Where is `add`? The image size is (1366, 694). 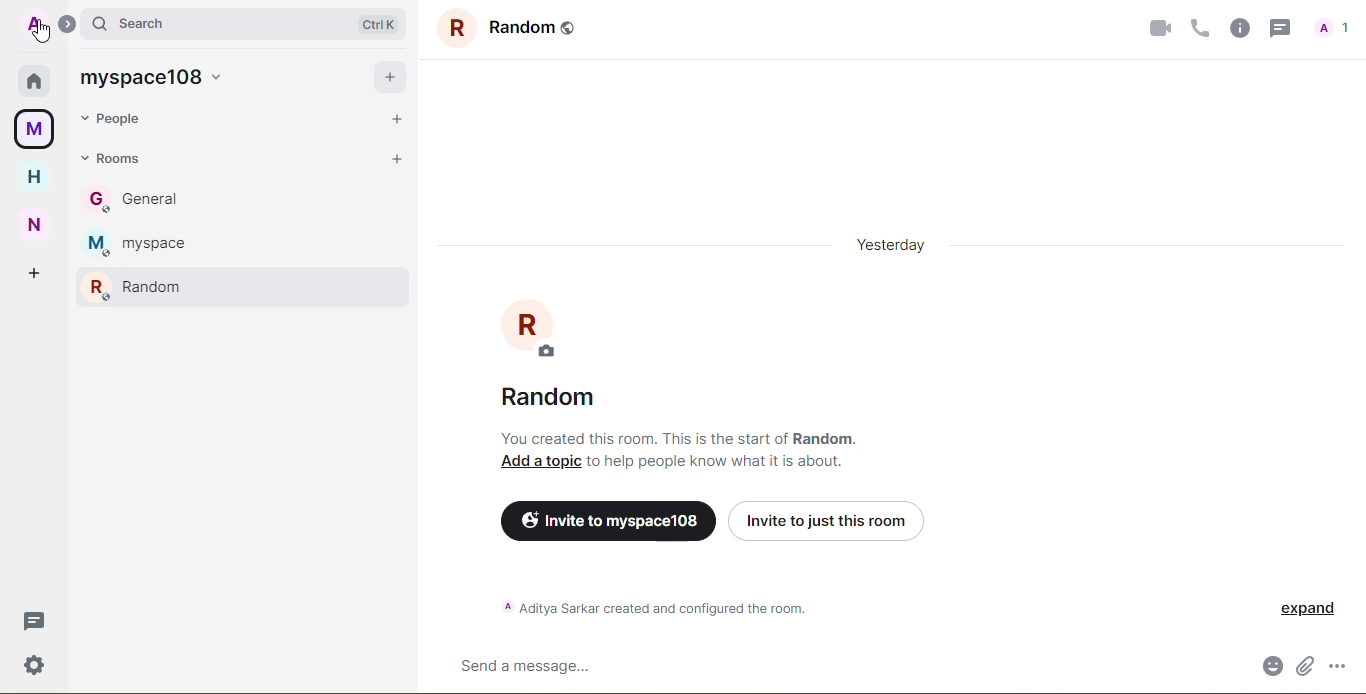 add is located at coordinates (389, 77).